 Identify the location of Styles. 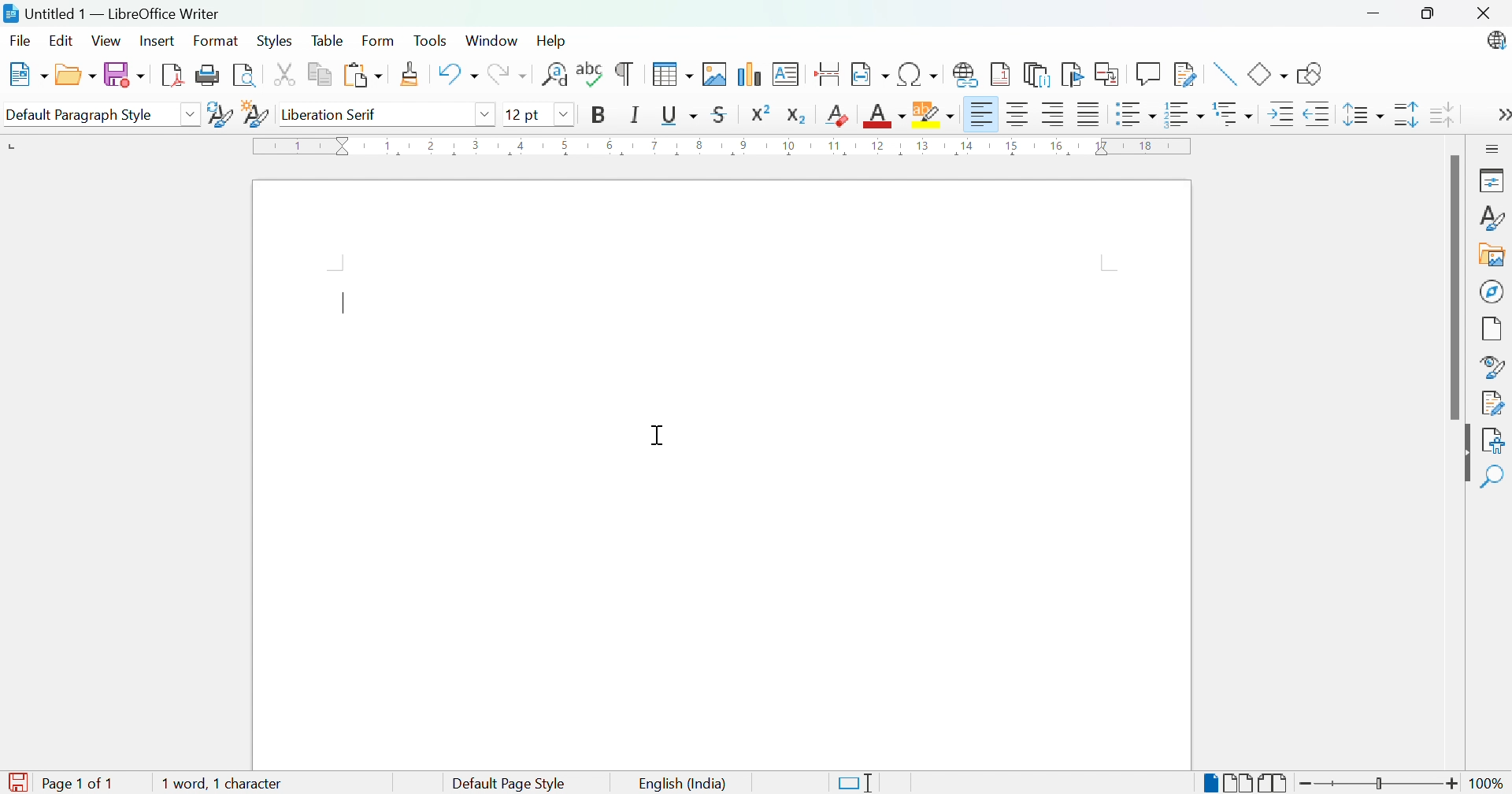
(1492, 219).